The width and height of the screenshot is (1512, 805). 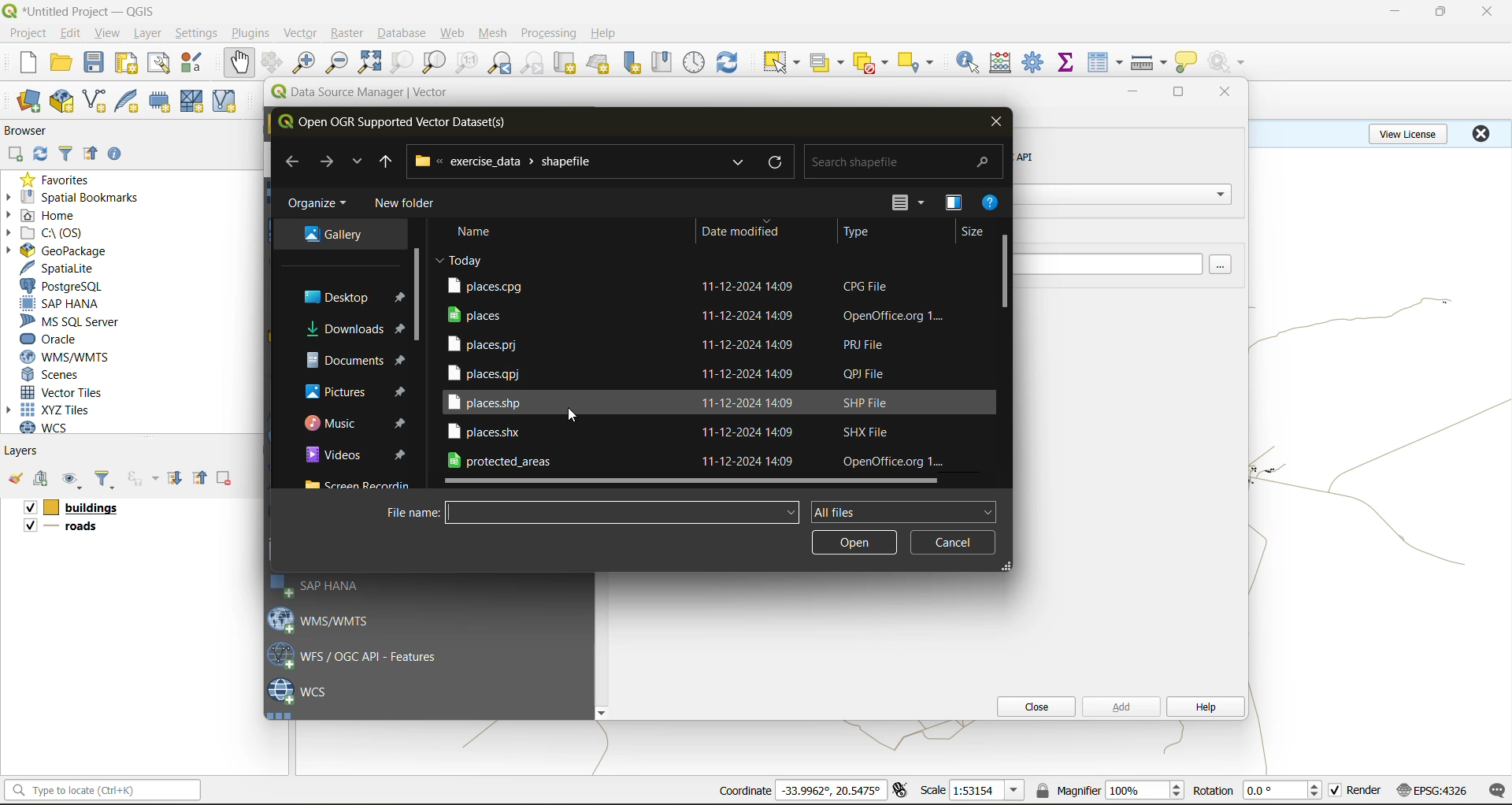 I want to click on file path, so click(x=511, y=161).